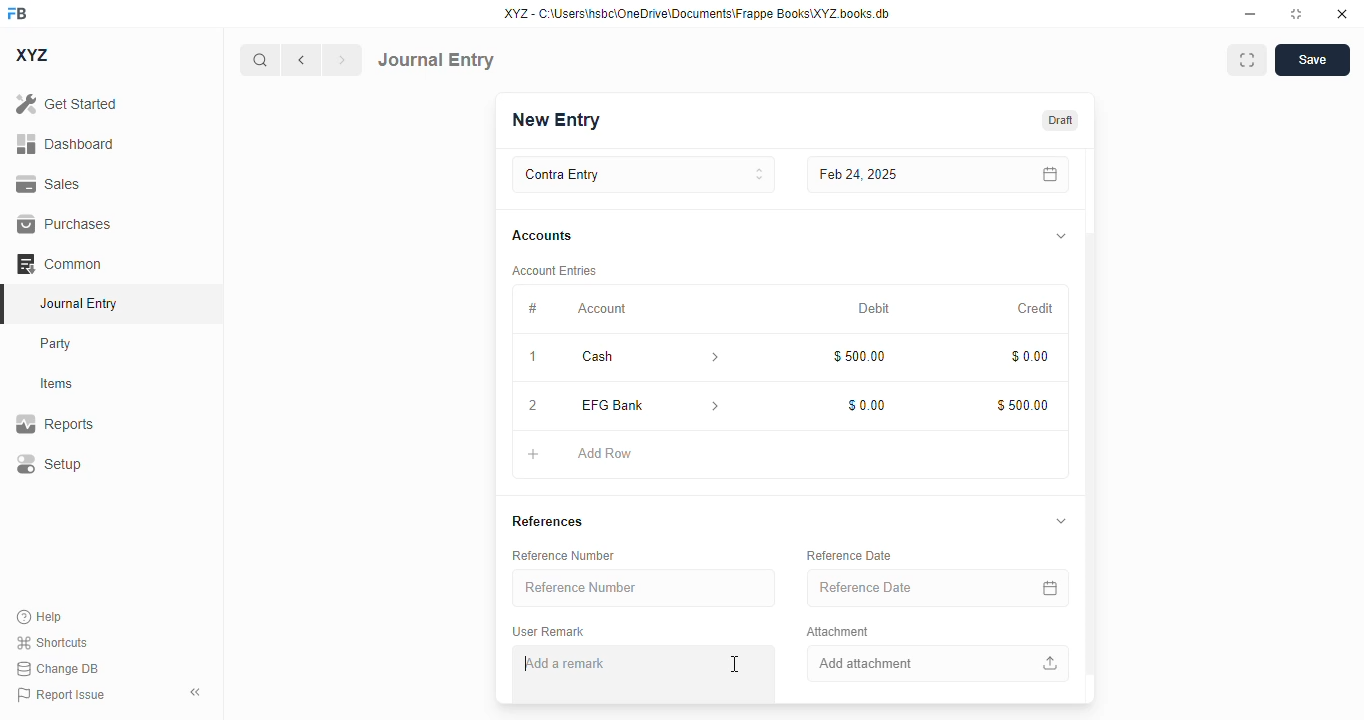 This screenshot has width=1364, height=720. I want to click on report issue, so click(61, 694).